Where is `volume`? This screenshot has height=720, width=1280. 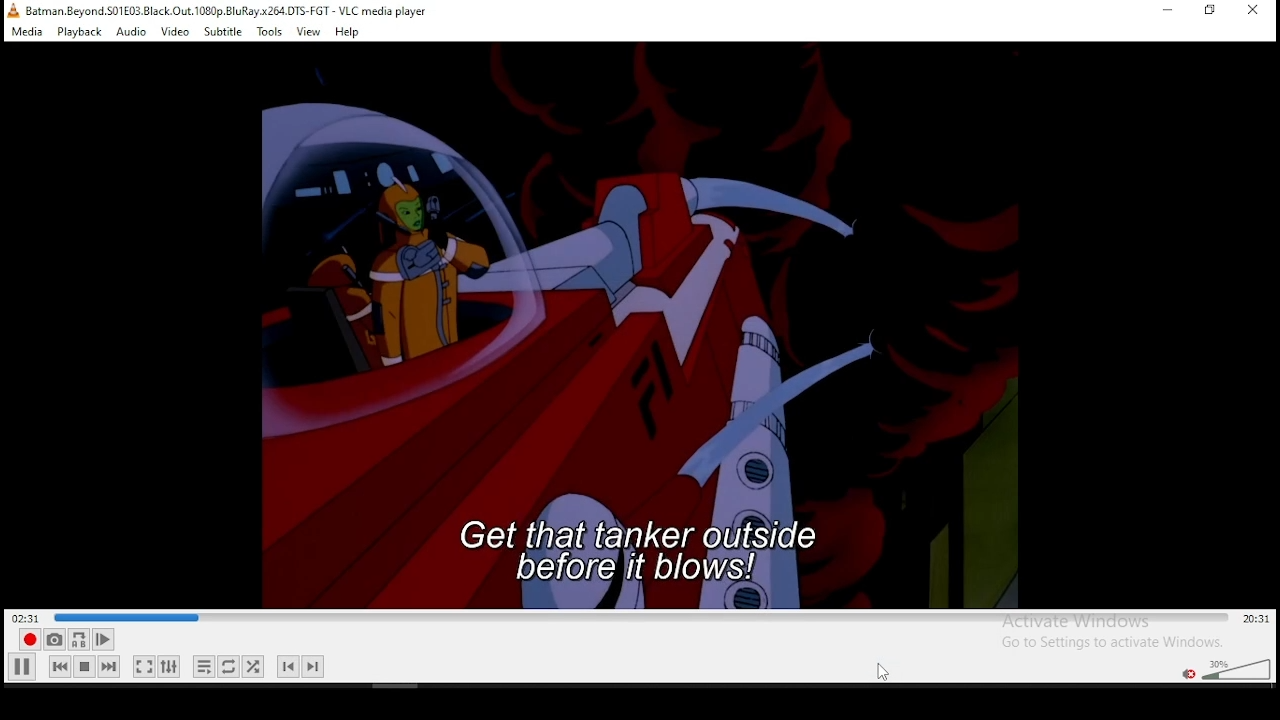
volume is located at coordinates (1238, 667).